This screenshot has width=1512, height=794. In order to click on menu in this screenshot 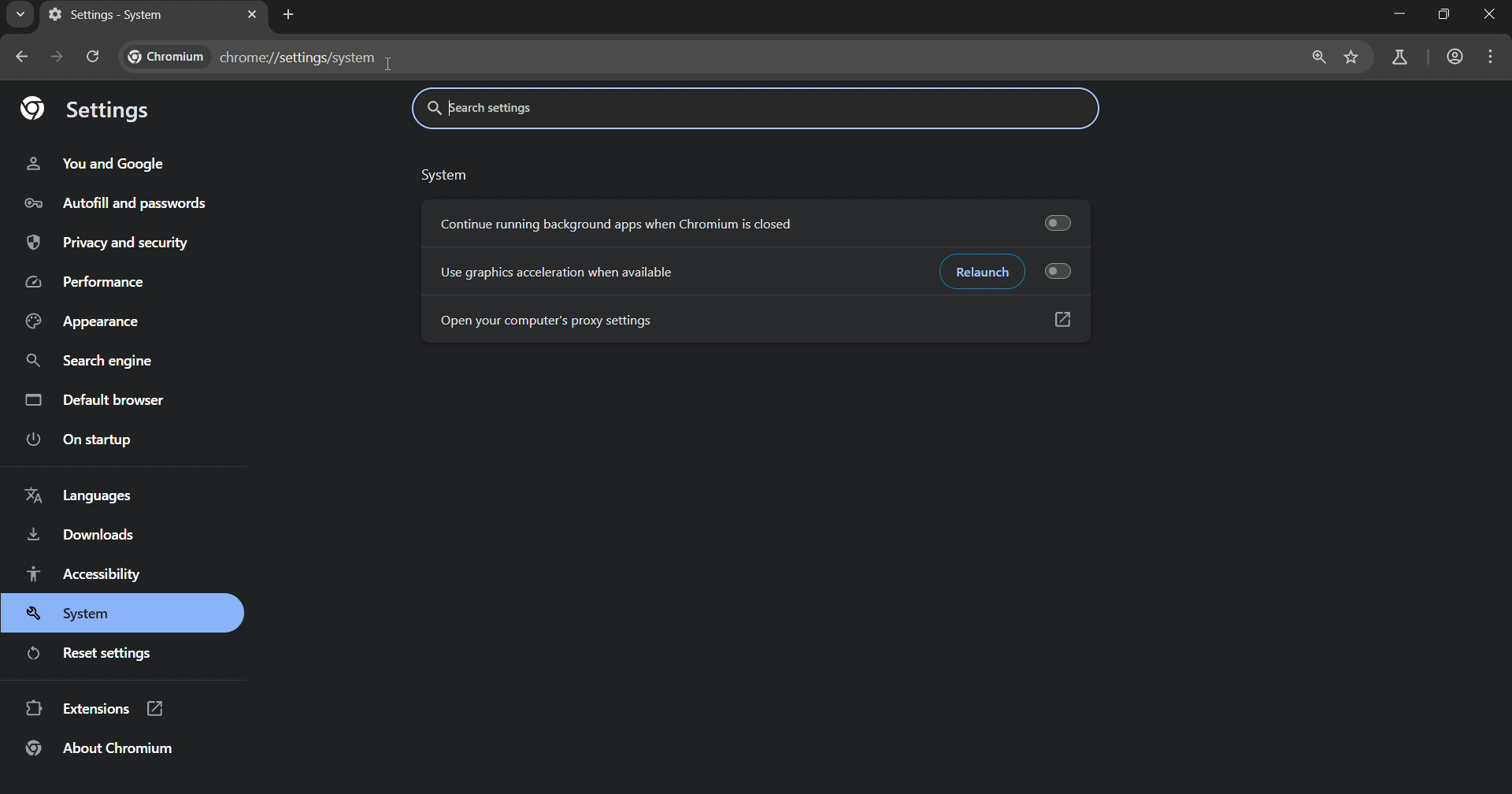, I will do `click(1492, 58)`.